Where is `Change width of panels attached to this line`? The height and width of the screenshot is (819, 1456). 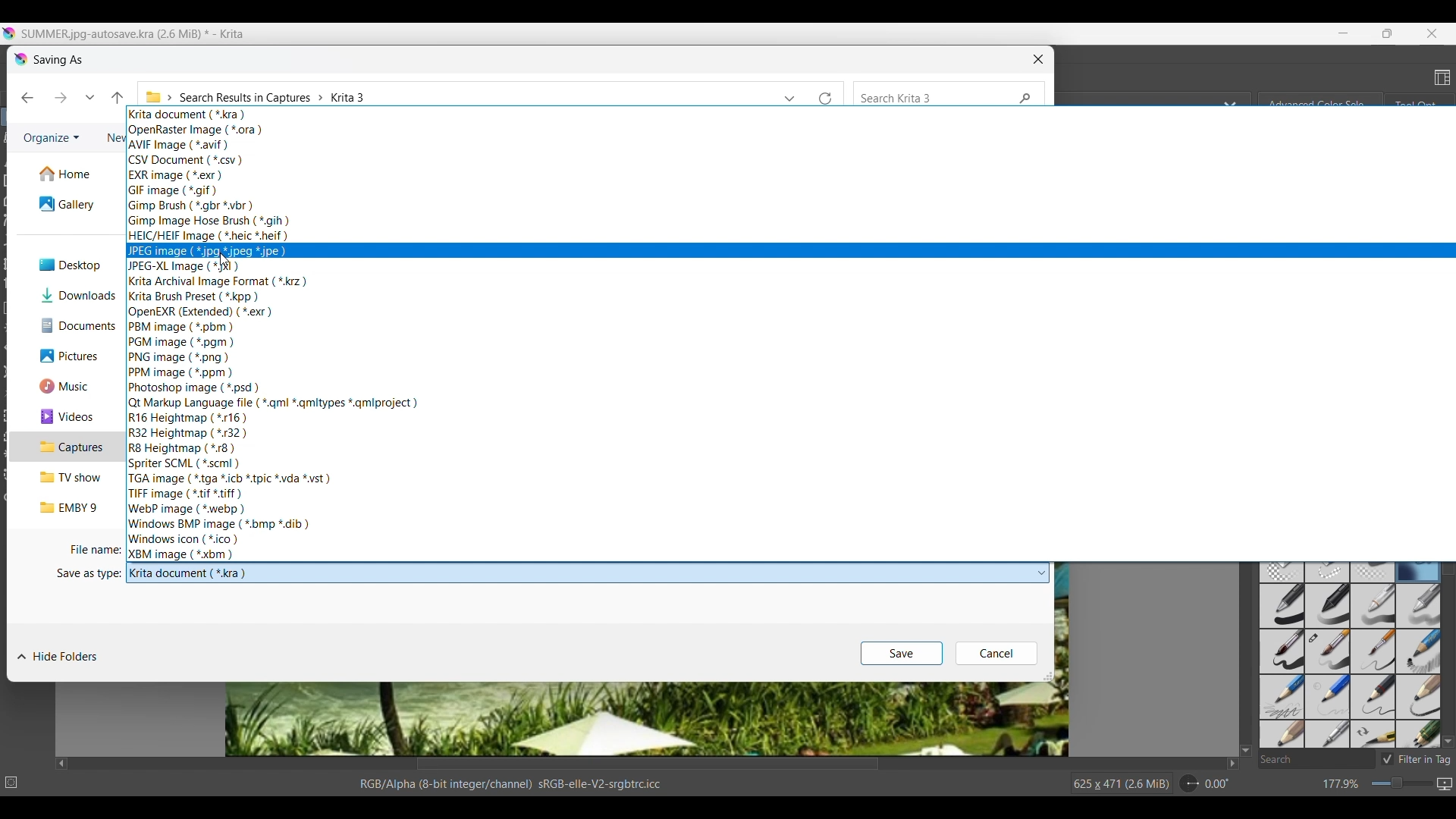
Change width of panels attached to this line is located at coordinates (1250, 685).